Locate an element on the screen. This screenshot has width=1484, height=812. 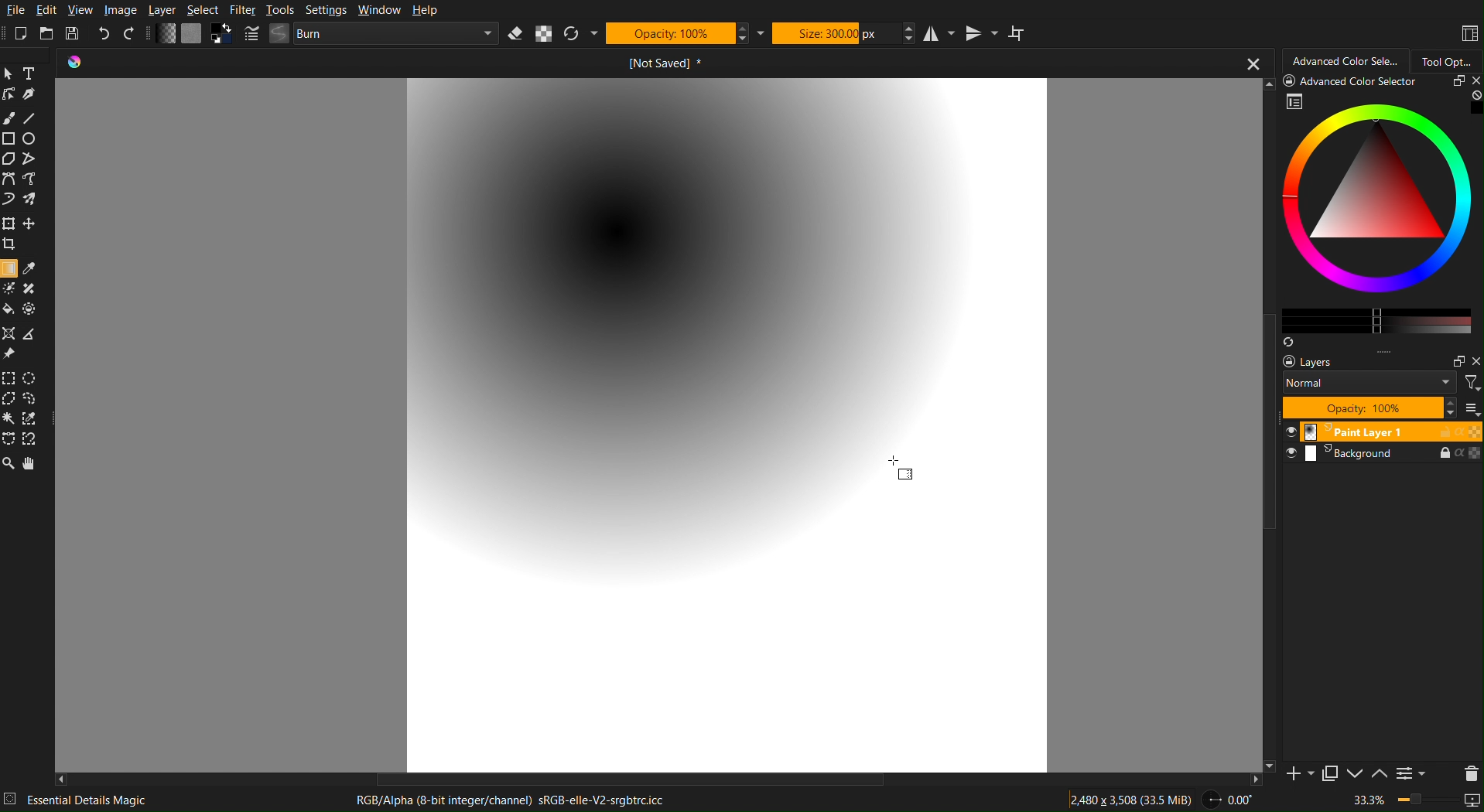
Brush Settings is located at coordinates (373, 34).